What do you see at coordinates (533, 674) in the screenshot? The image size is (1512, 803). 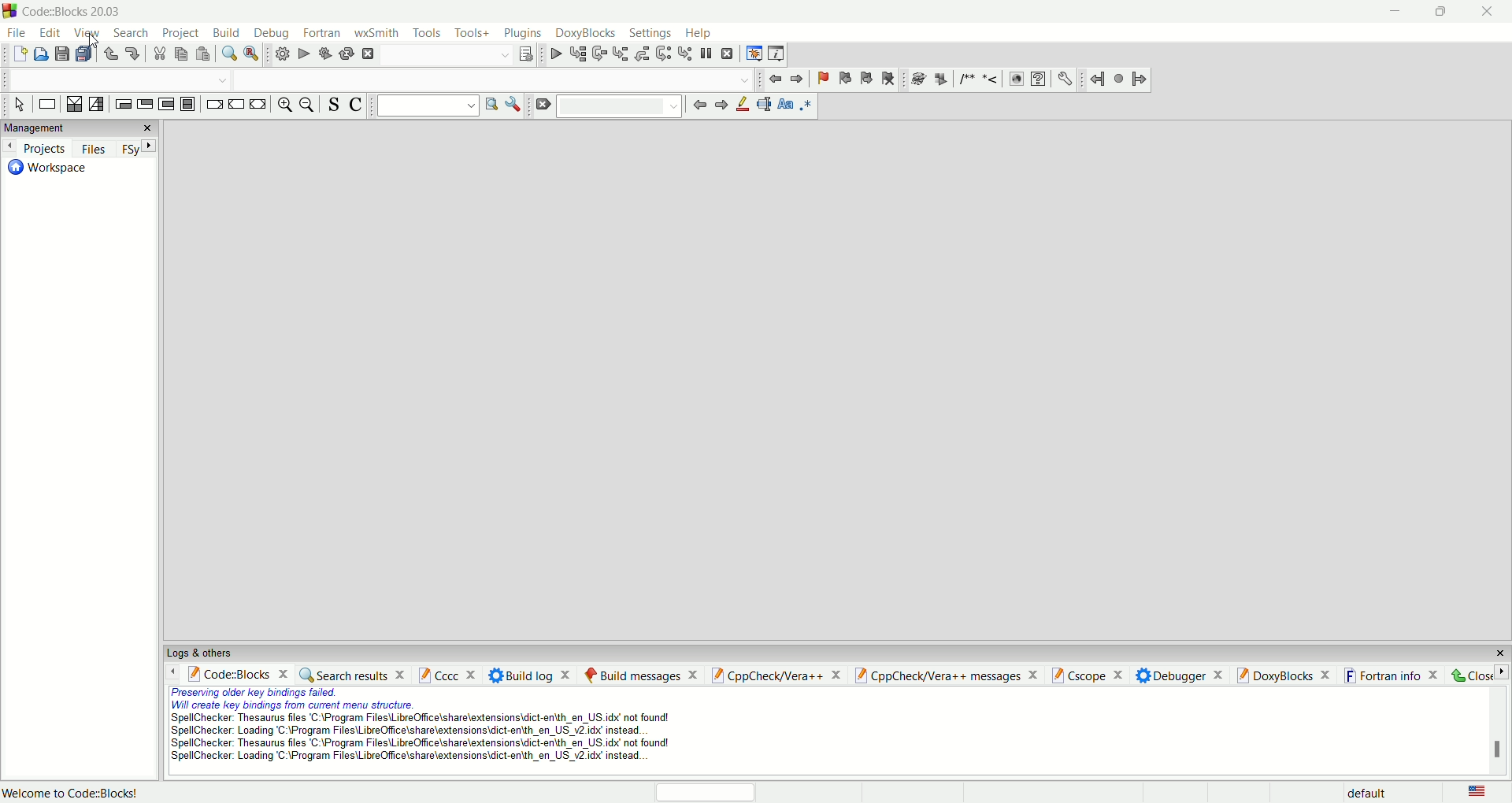 I see `build log` at bounding box center [533, 674].